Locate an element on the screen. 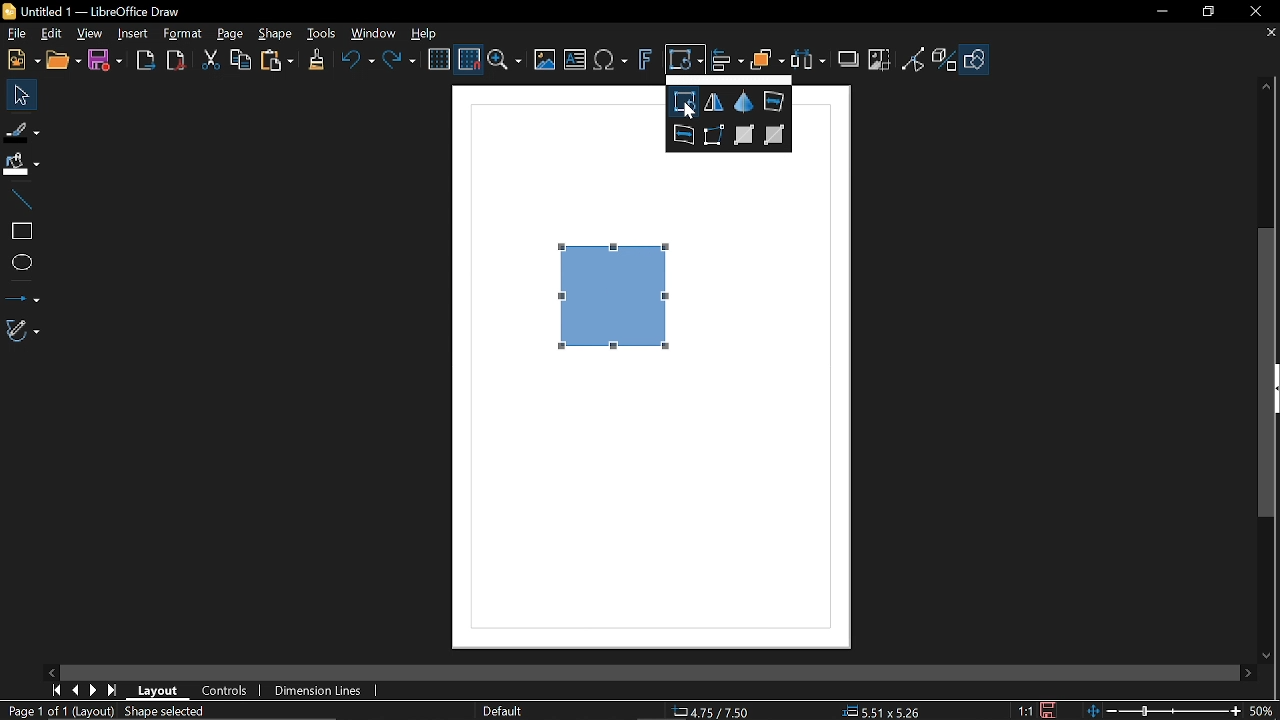 The width and height of the screenshot is (1280, 720). Move is located at coordinates (20, 94).